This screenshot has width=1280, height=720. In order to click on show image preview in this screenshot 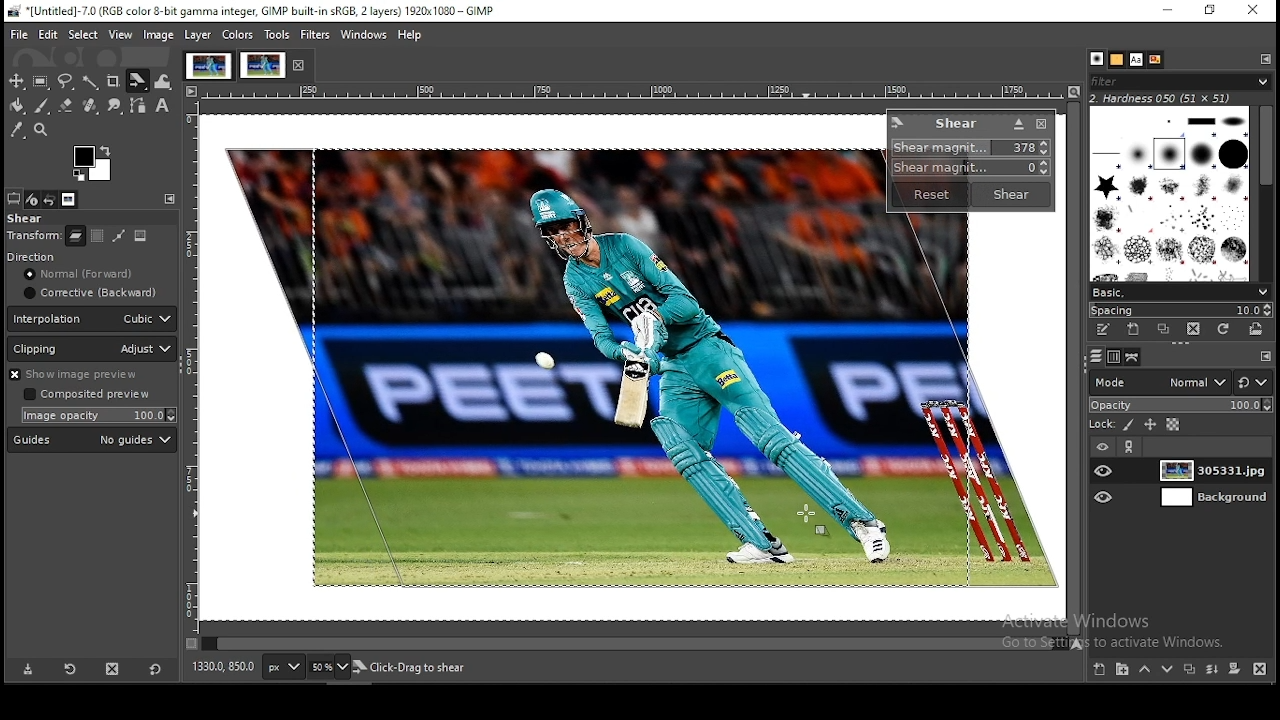, I will do `click(88, 375)`.